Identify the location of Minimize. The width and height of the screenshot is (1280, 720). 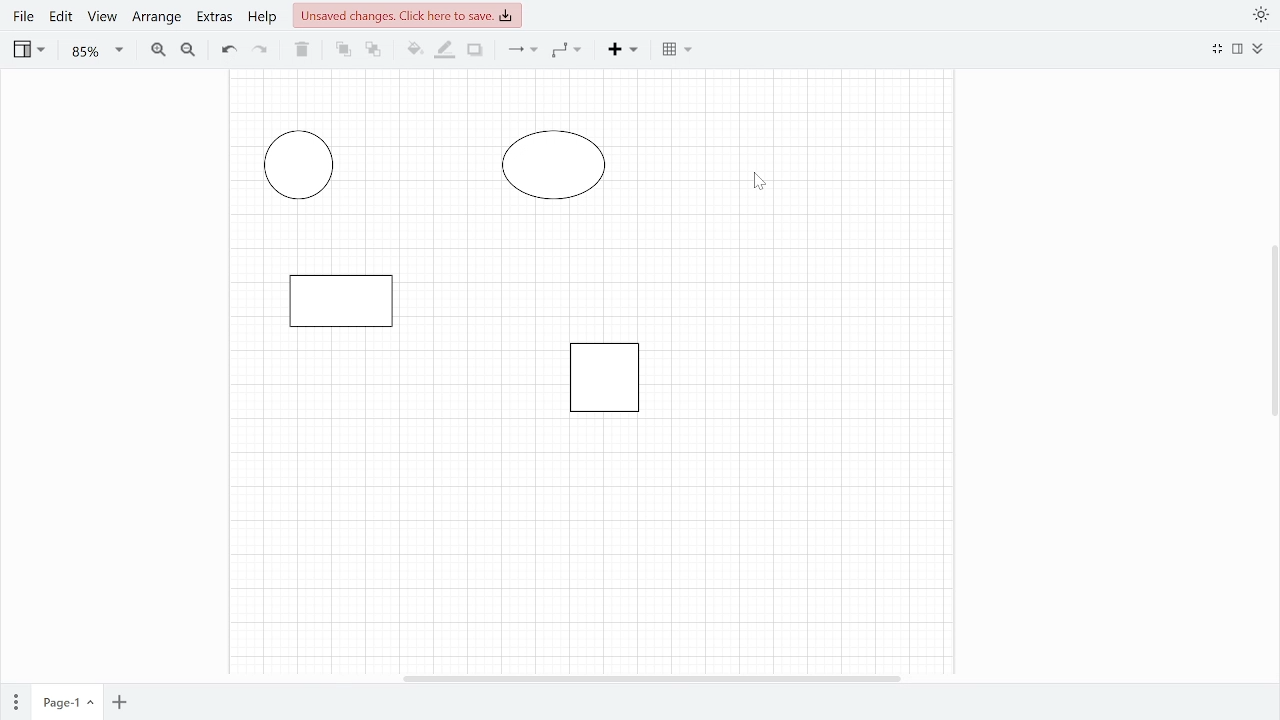
(1217, 49).